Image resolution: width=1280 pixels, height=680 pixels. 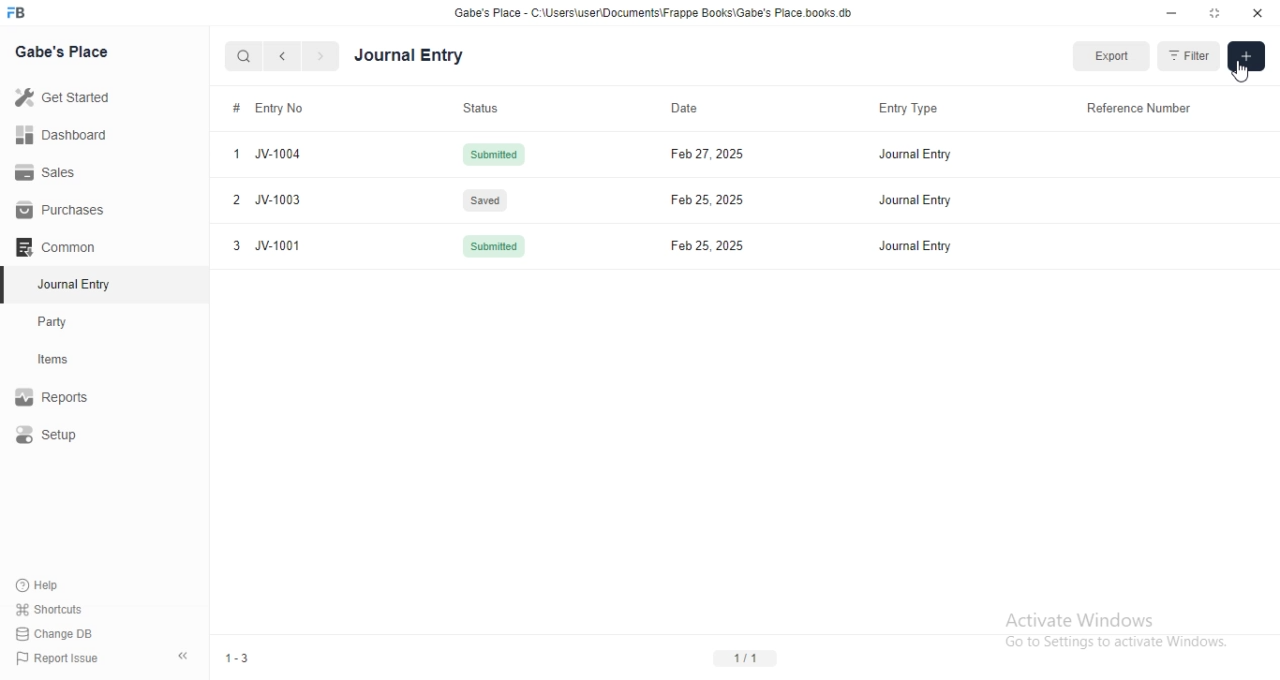 I want to click on Common, so click(x=61, y=247).